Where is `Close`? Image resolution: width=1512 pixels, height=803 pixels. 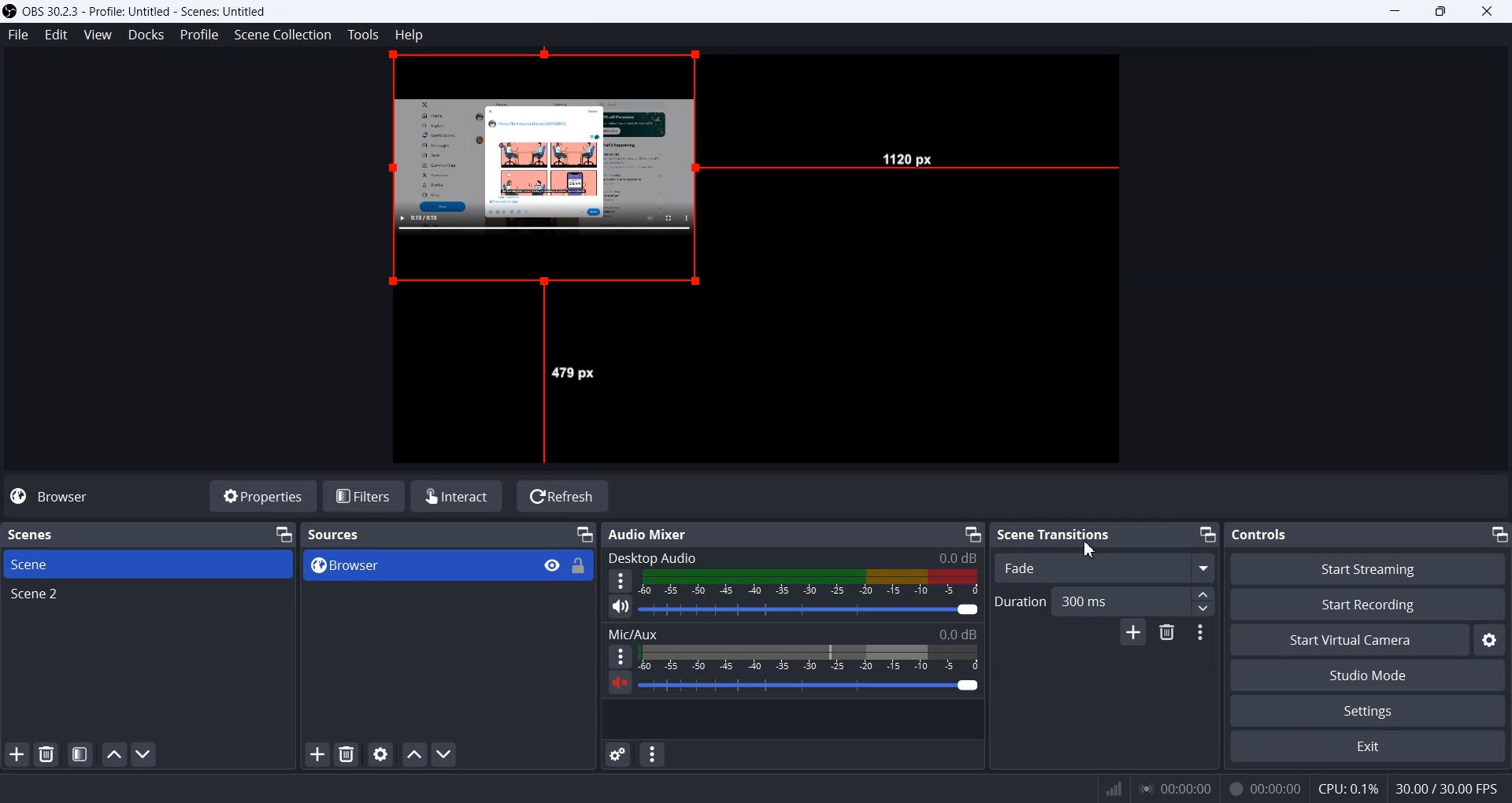
Close is located at coordinates (1490, 13).